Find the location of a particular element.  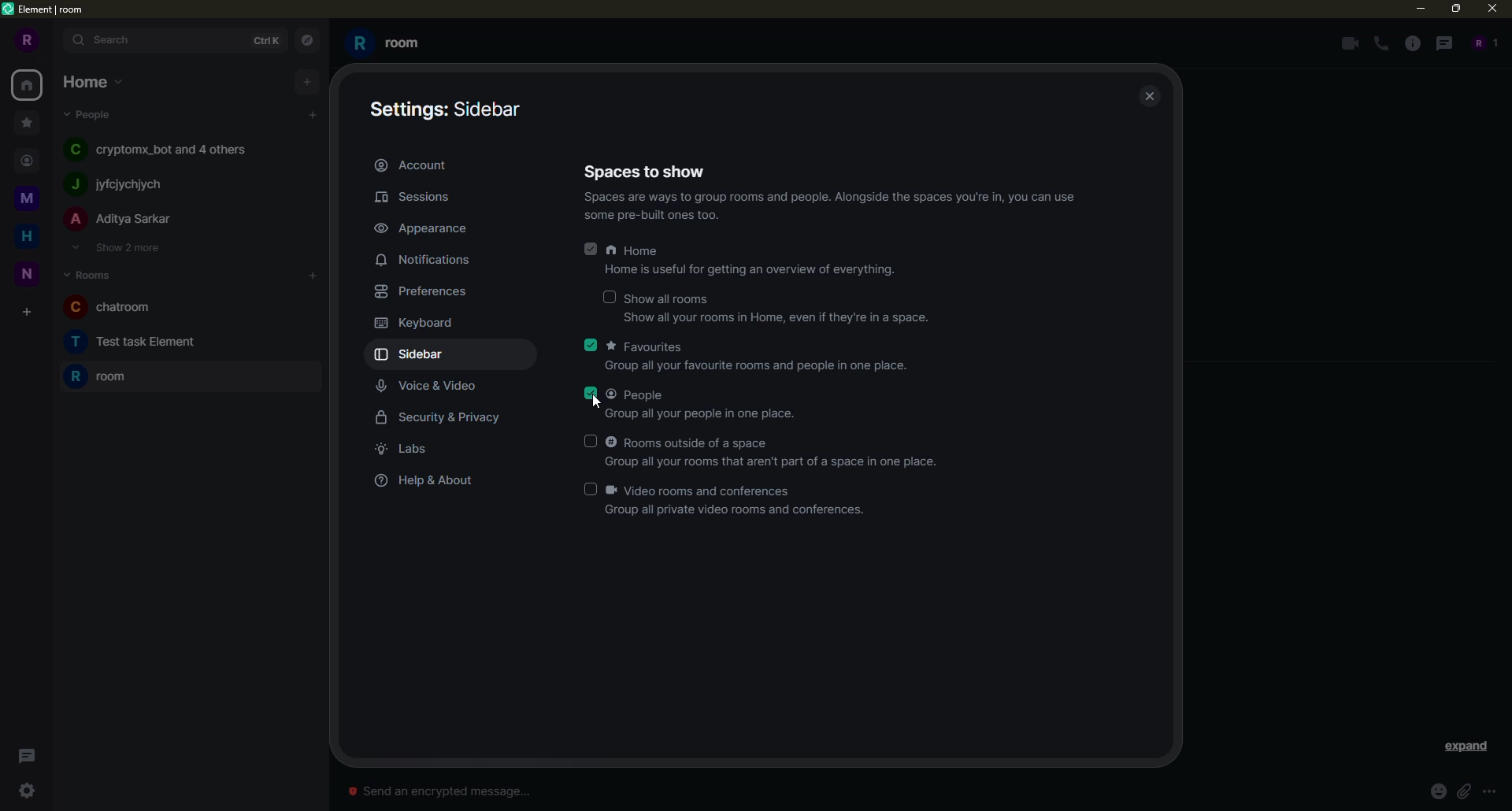

m is located at coordinates (24, 121).